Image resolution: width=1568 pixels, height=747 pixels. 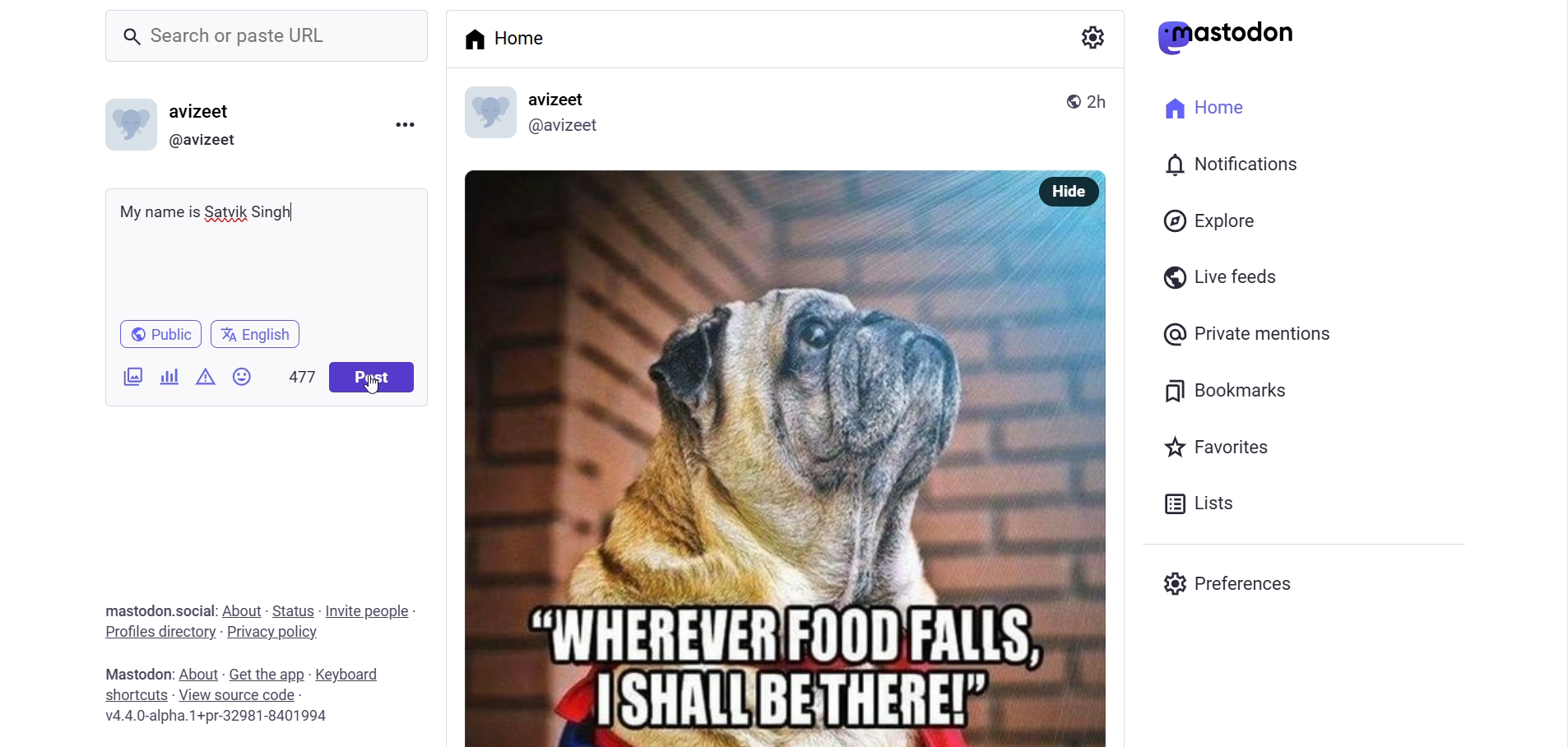 I want to click on Mastodon: About - Get the app - Keyboard
shortcuts - View source code
v4.4.0-alpha.1+pr-32981-8401994, so click(x=244, y=694).